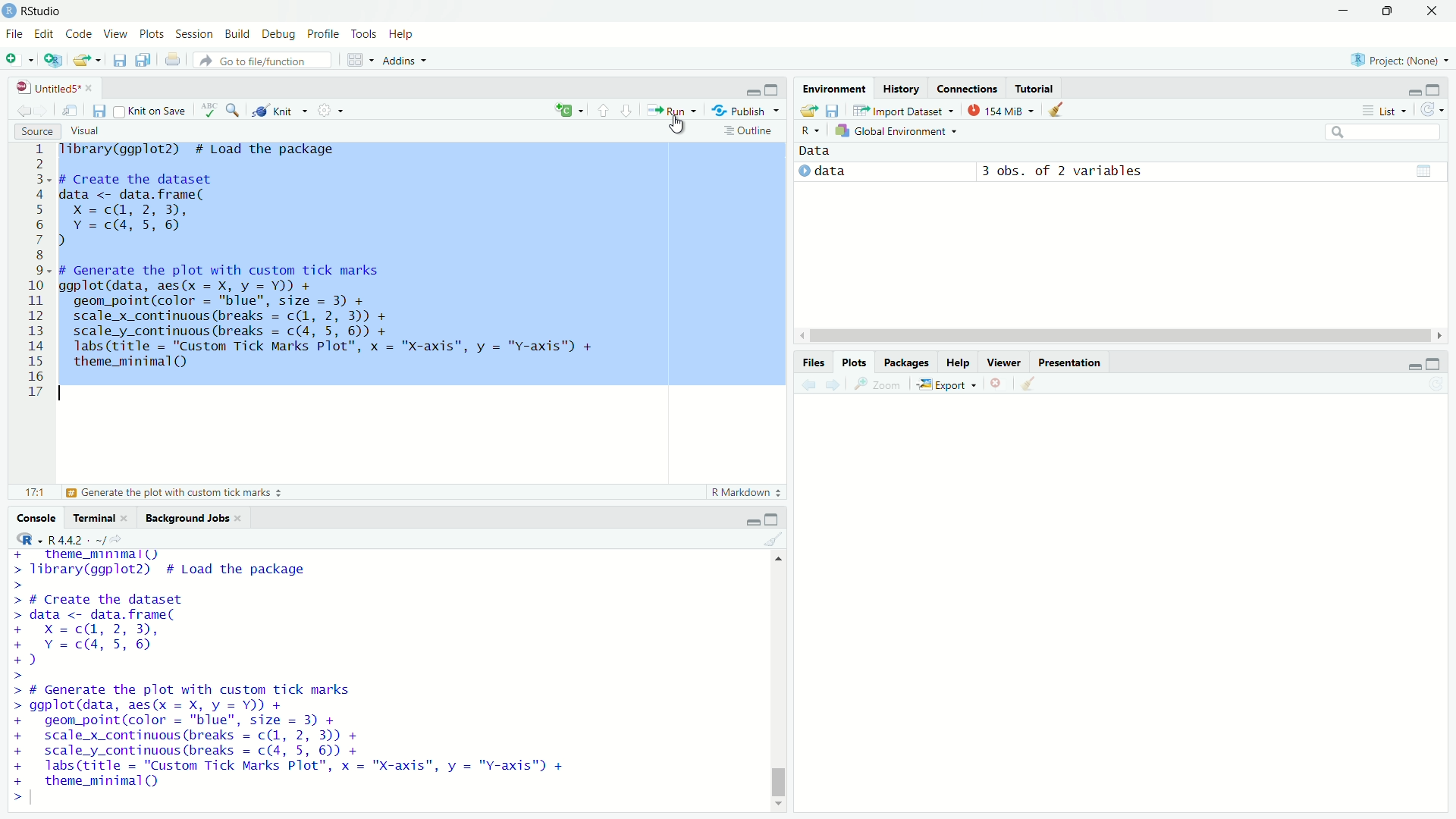  I want to click on logo, so click(9, 11).